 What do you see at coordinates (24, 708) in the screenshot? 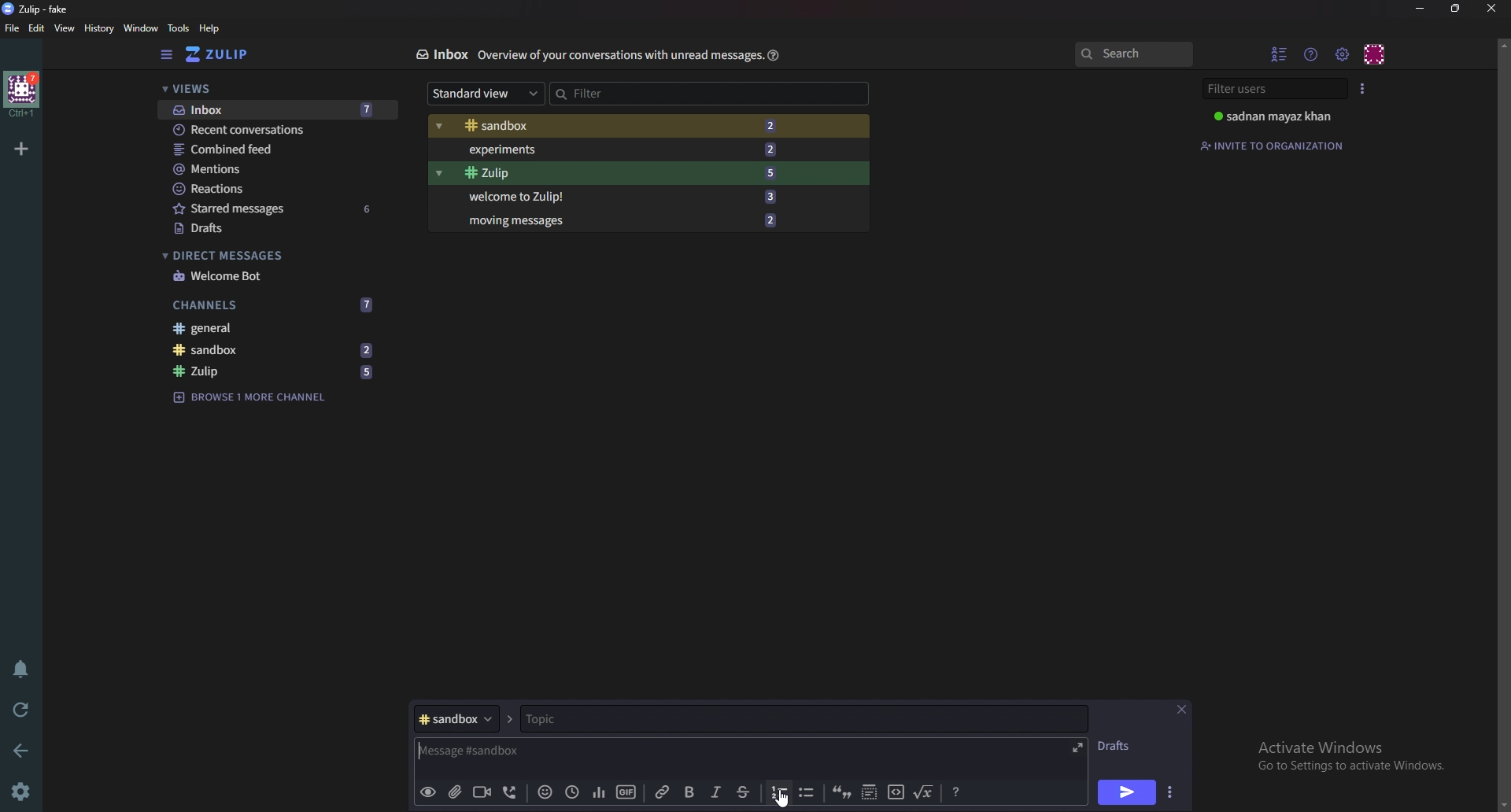
I see `Reload` at bounding box center [24, 708].